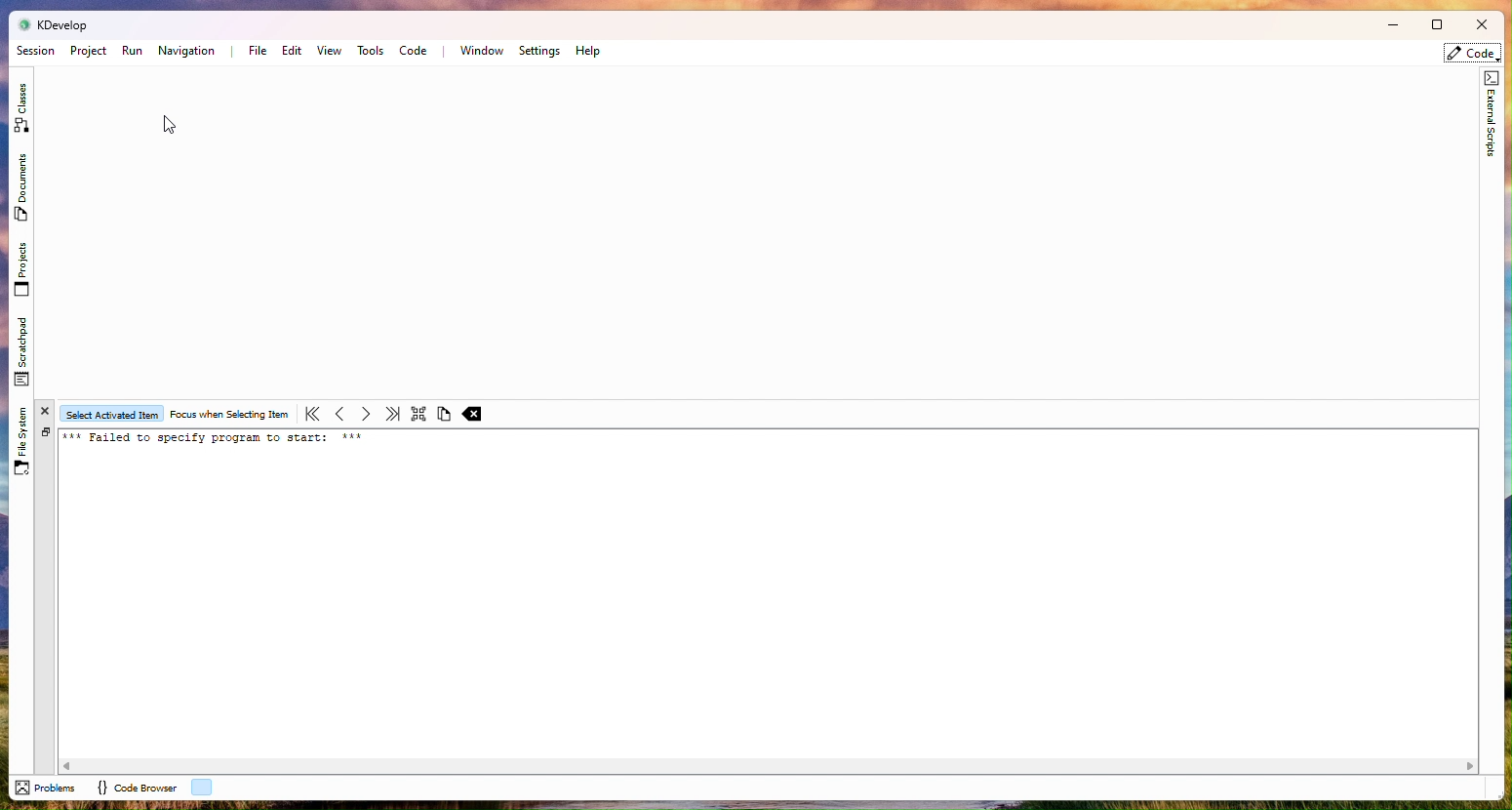 The width and height of the screenshot is (1512, 810). What do you see at coordinates (338, 415) in the screenshot?
I see `Previous item` at bounding box center [338, 415].